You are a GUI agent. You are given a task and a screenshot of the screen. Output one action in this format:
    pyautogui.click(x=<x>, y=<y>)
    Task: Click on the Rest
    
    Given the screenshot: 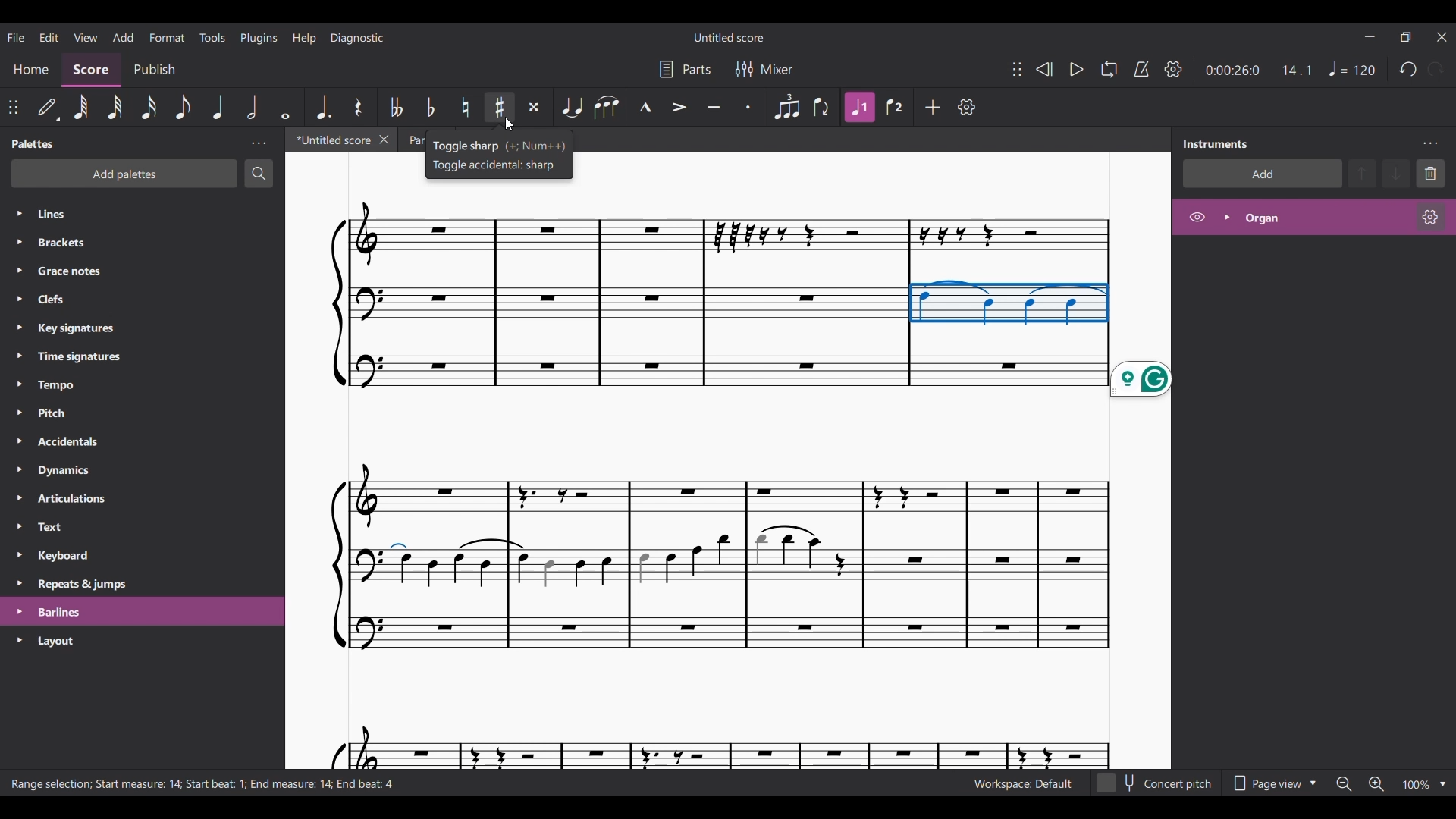 What is the action you would take?
    pyautogui.click(x=358, y=106)
    